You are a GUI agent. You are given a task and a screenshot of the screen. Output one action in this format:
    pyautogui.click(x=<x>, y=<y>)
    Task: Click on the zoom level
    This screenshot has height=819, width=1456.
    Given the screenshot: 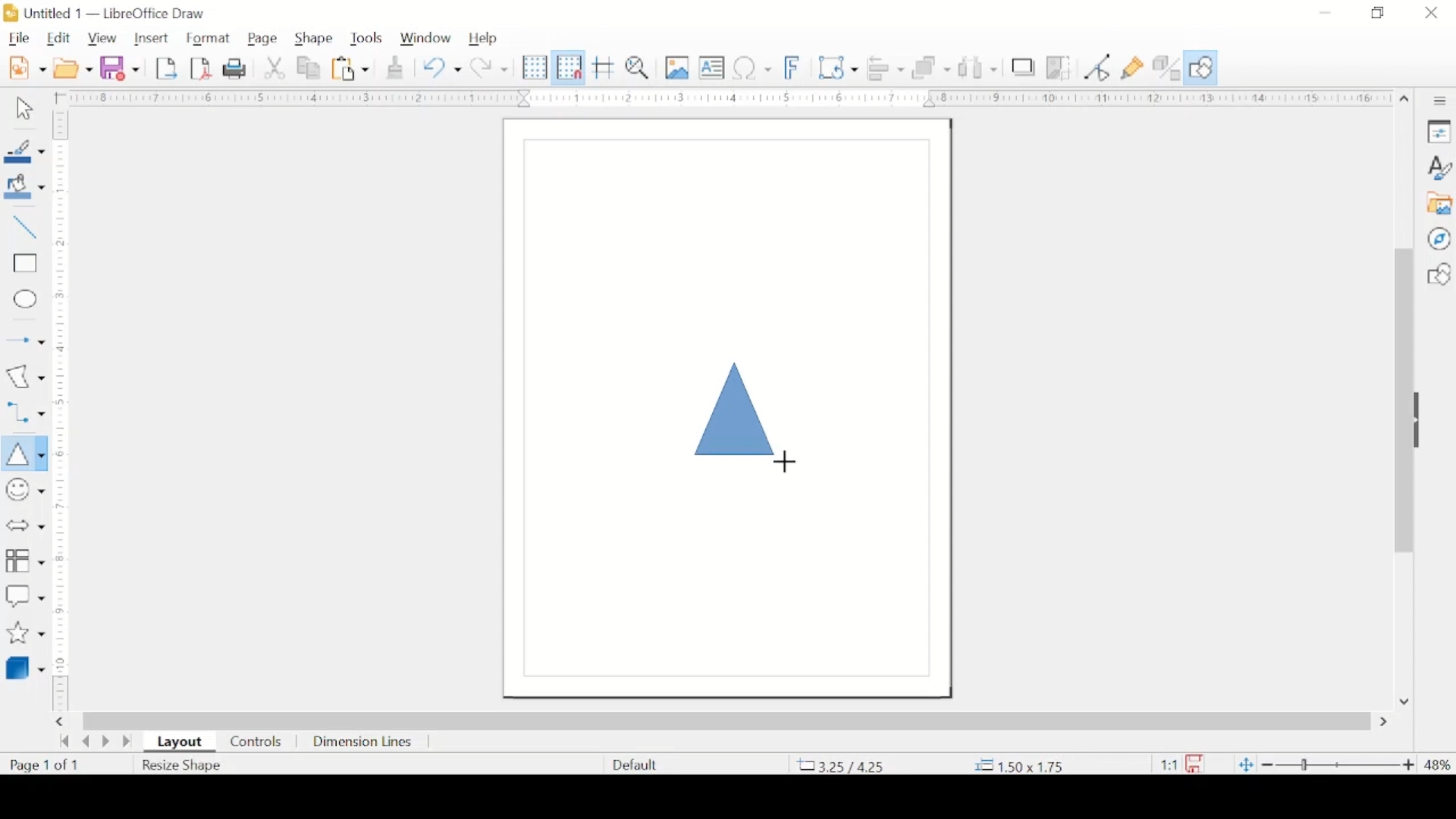 What is the action you would take?
    pyautogui.click(x=1438, y=764)
    